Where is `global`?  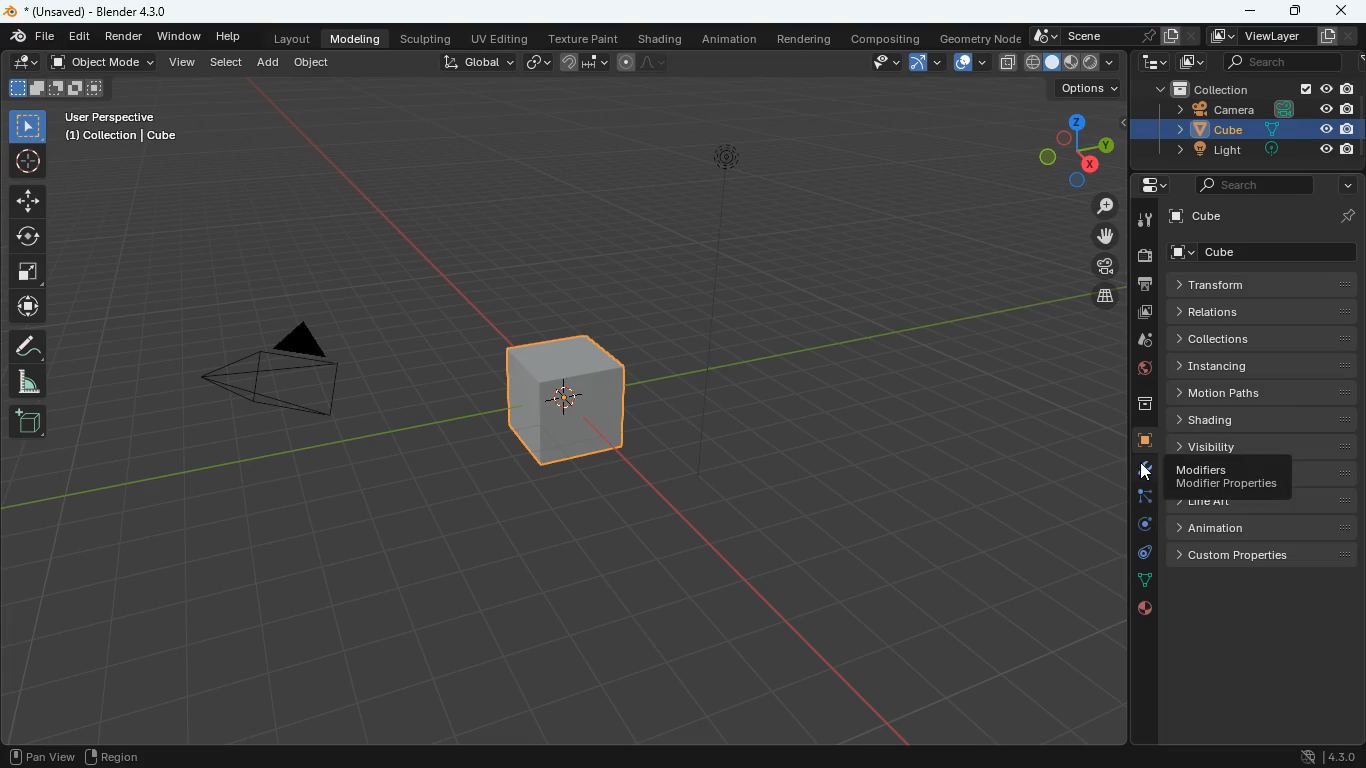
global is located at coordinates (480, 62).